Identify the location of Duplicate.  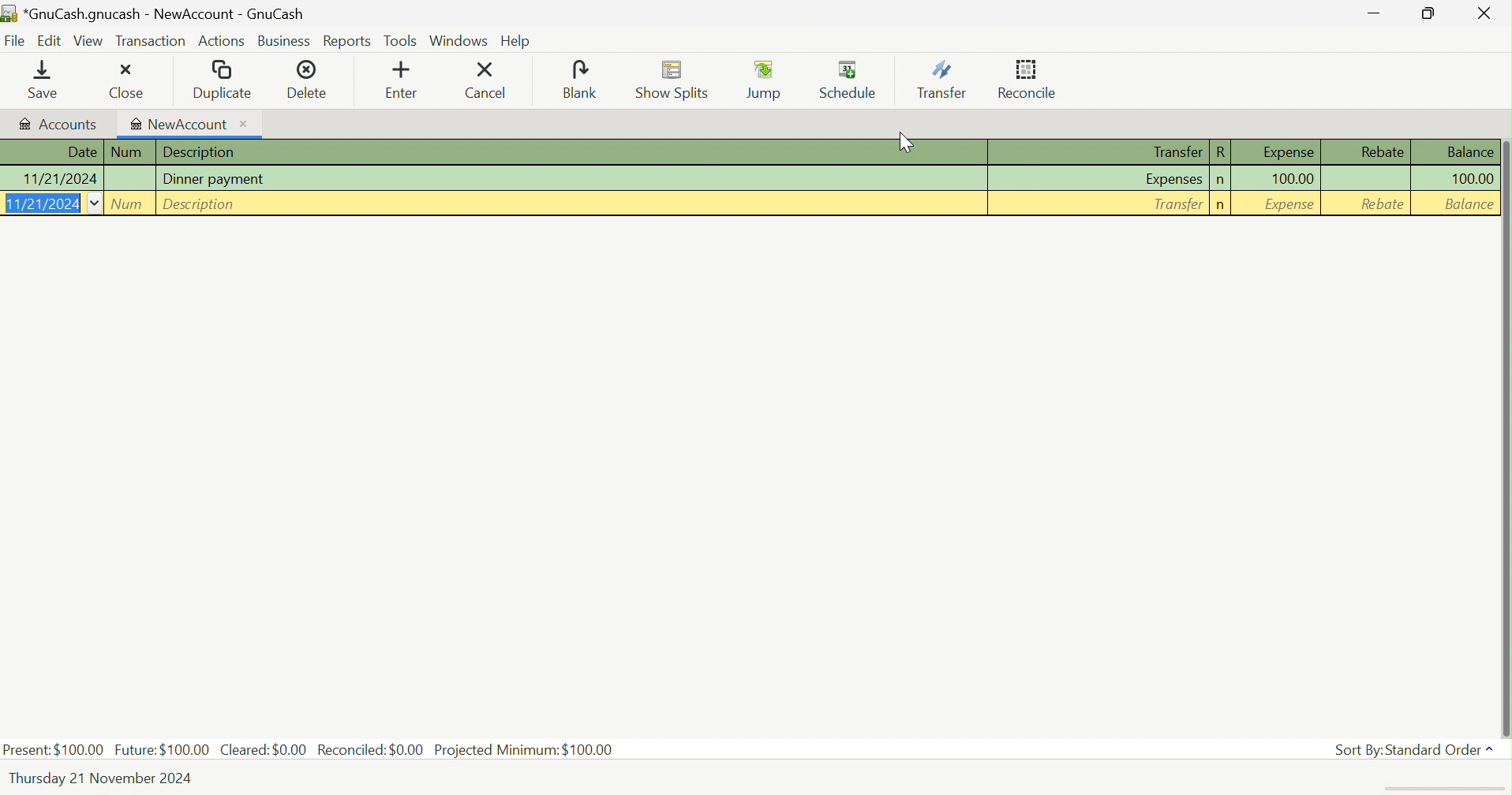
(222, 79).